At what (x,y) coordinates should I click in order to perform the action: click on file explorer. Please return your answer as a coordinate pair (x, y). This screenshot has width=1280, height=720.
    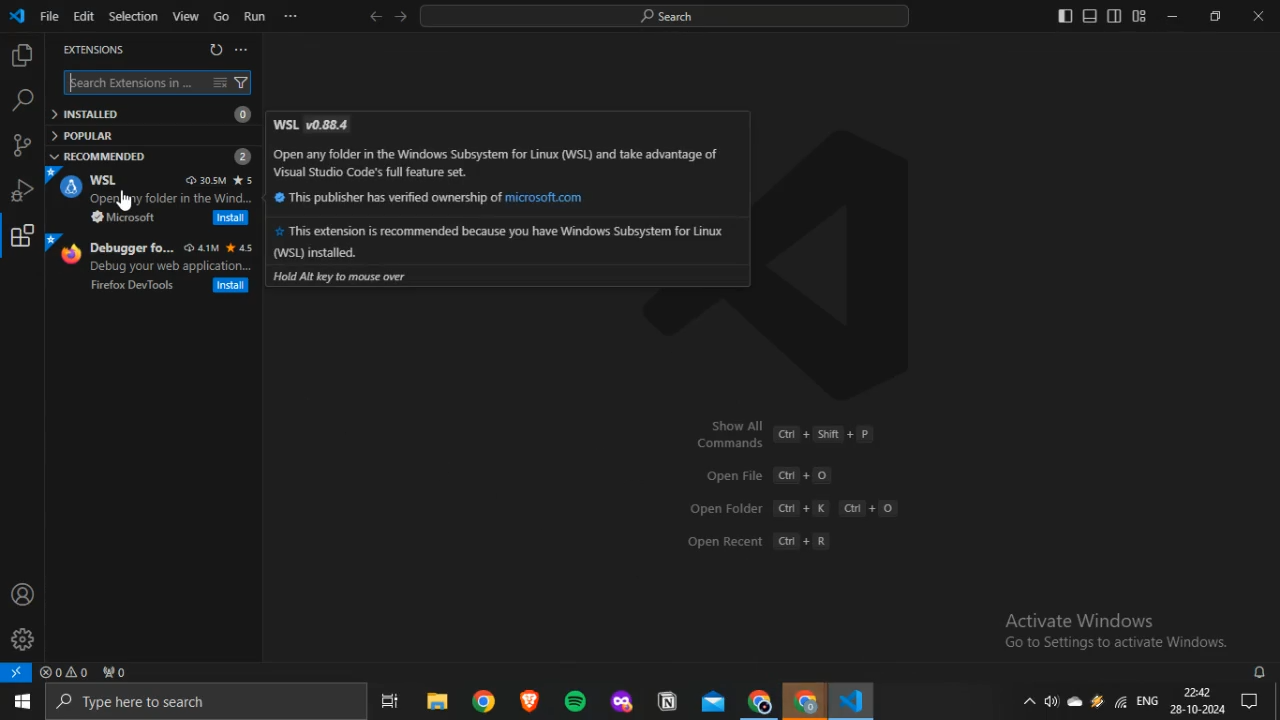
    Looking at the image, I should click on (438, 700).